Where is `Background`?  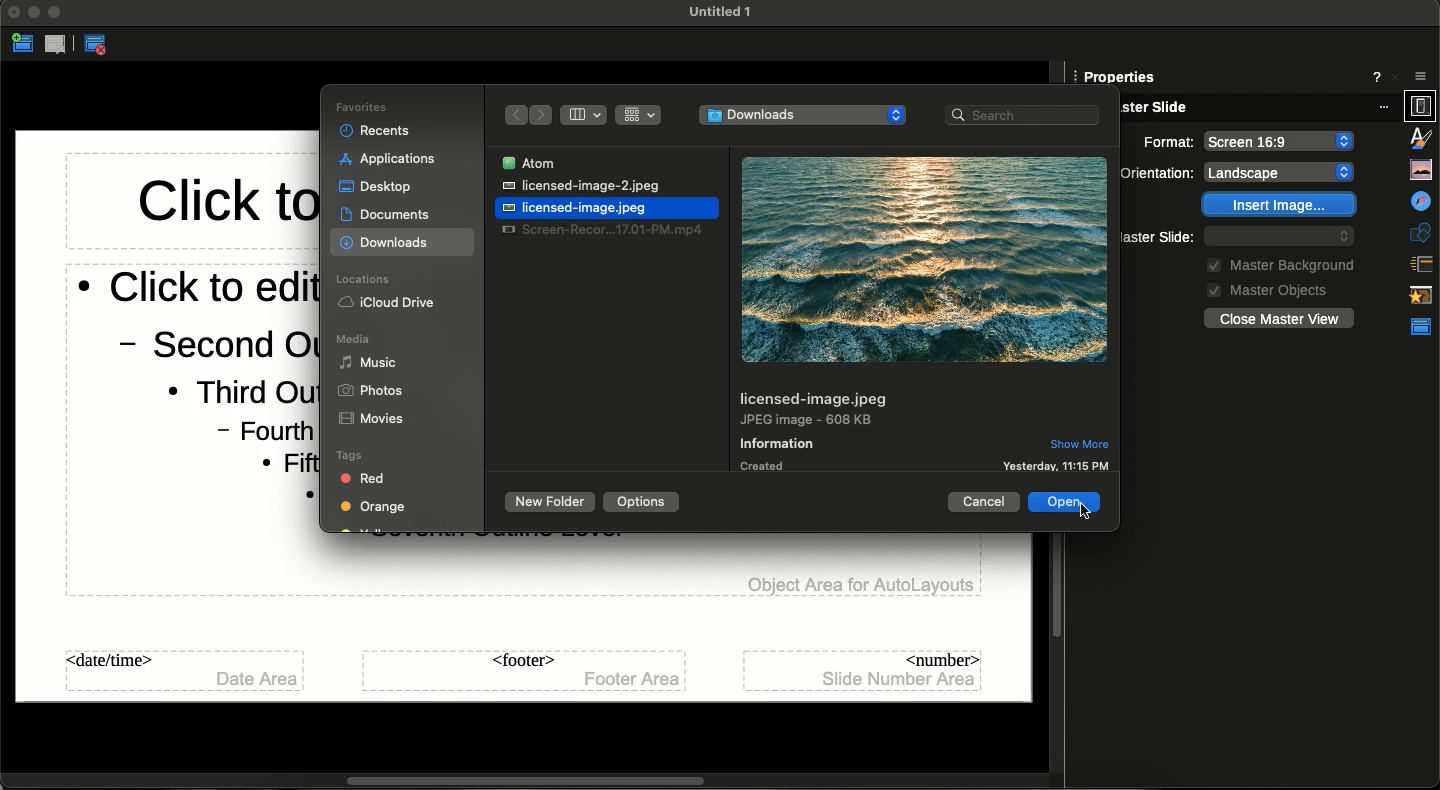 Background is located at coordinates (1157, 173).